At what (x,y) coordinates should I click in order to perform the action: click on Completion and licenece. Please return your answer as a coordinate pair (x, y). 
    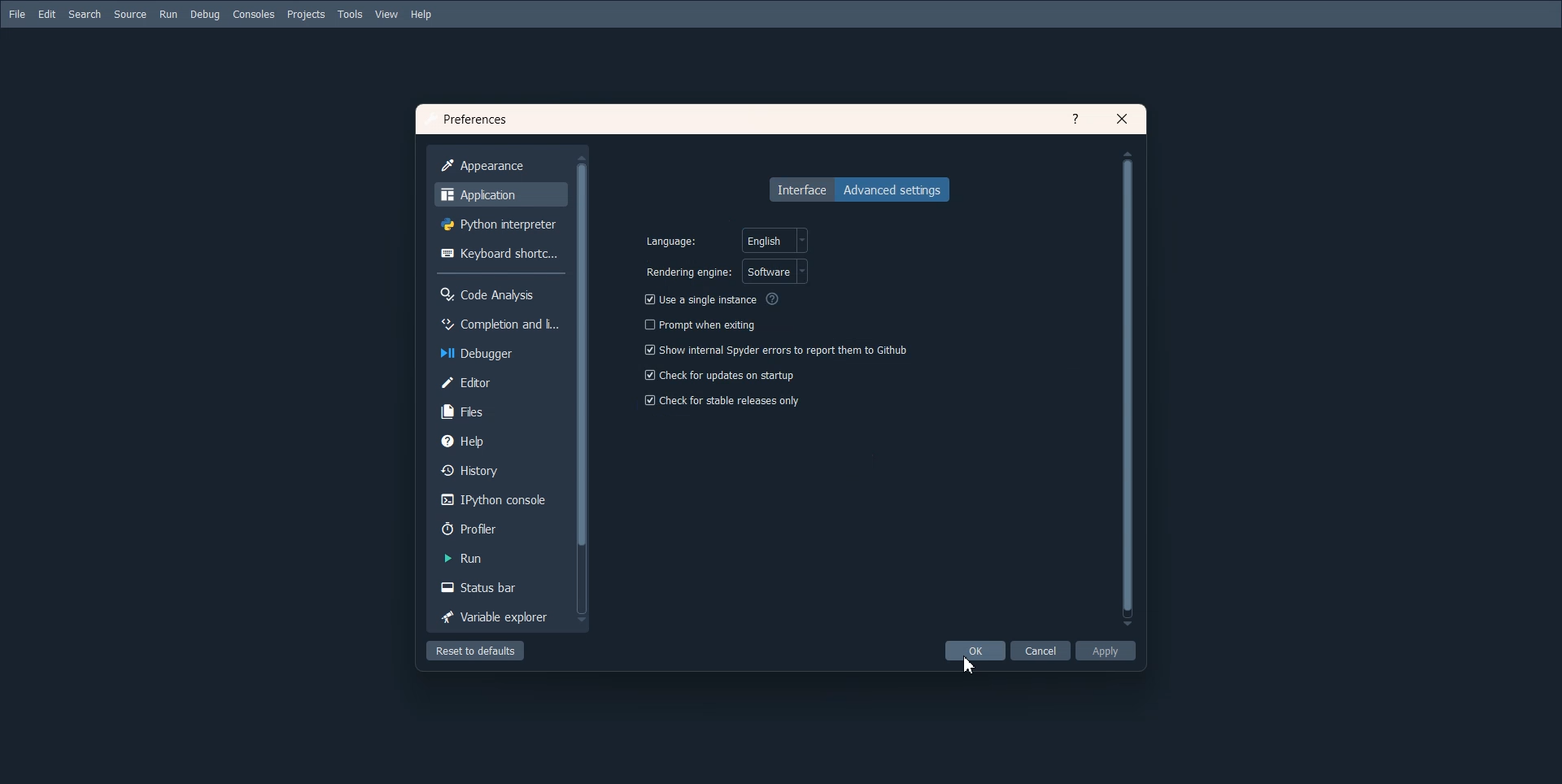
    Looking at the image, I should click on (498, 322).